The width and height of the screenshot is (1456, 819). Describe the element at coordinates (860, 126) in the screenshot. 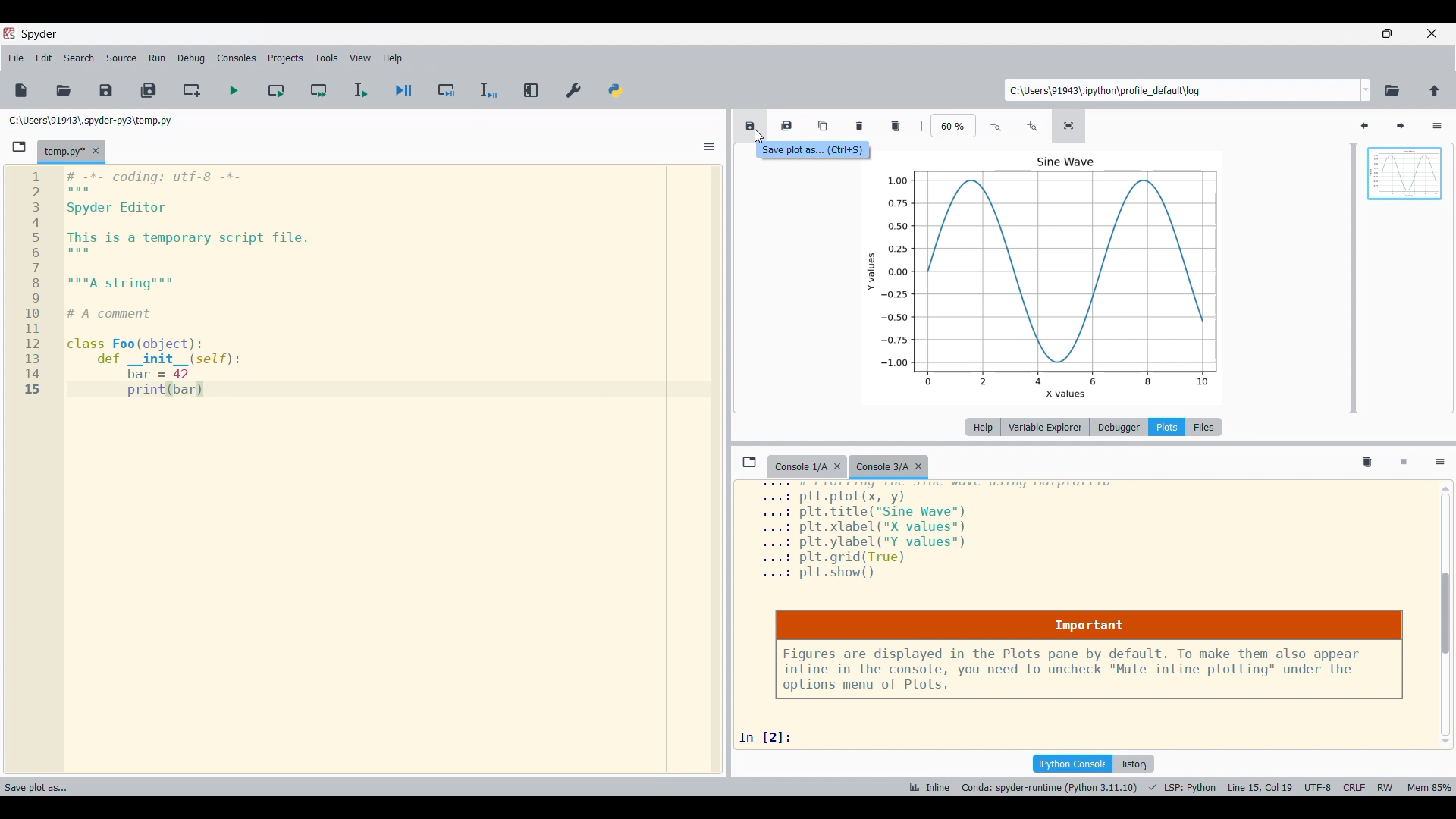

I see `Remove plot` at that location.